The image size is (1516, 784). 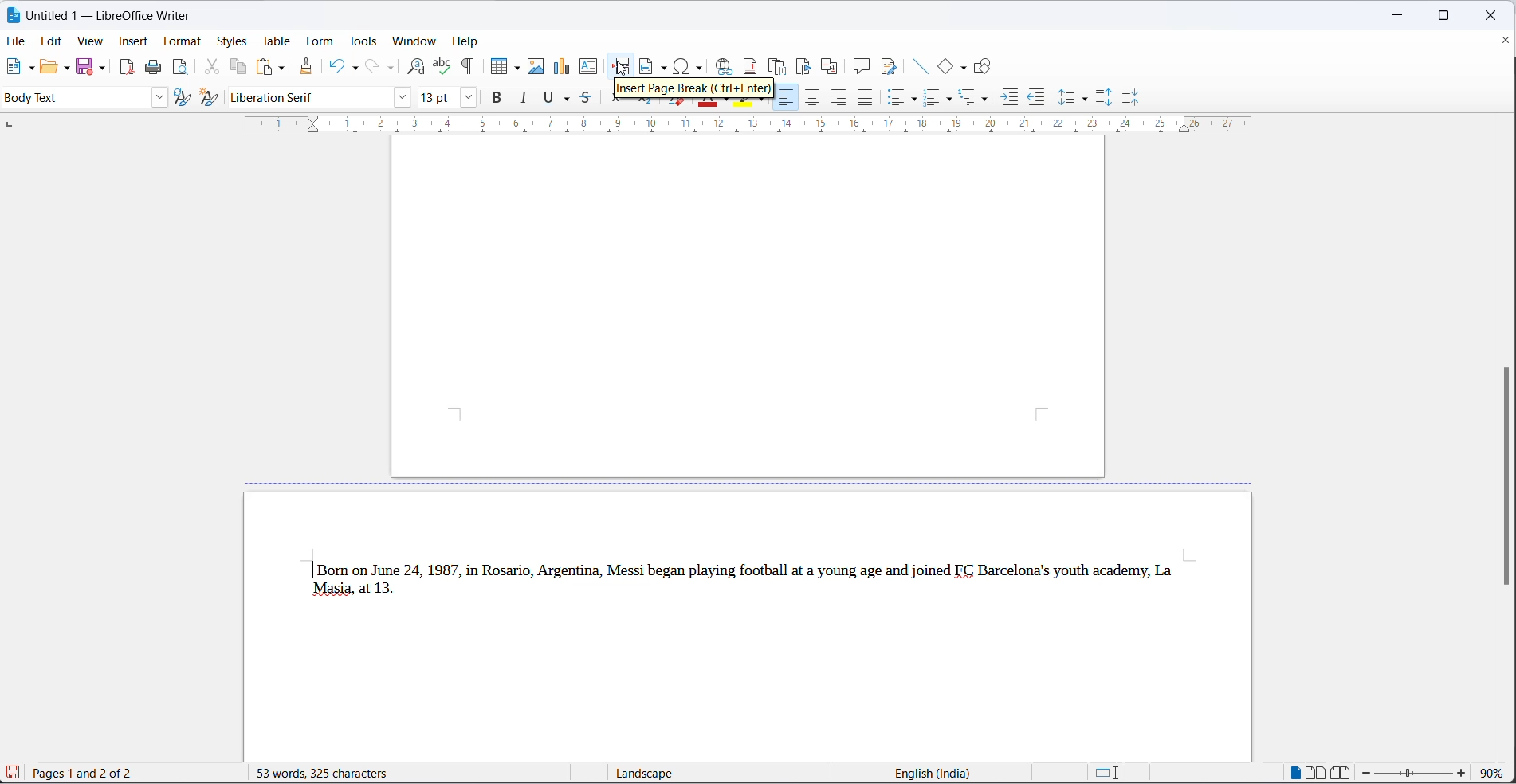 I want to click on open, so click(x=46, y=69).